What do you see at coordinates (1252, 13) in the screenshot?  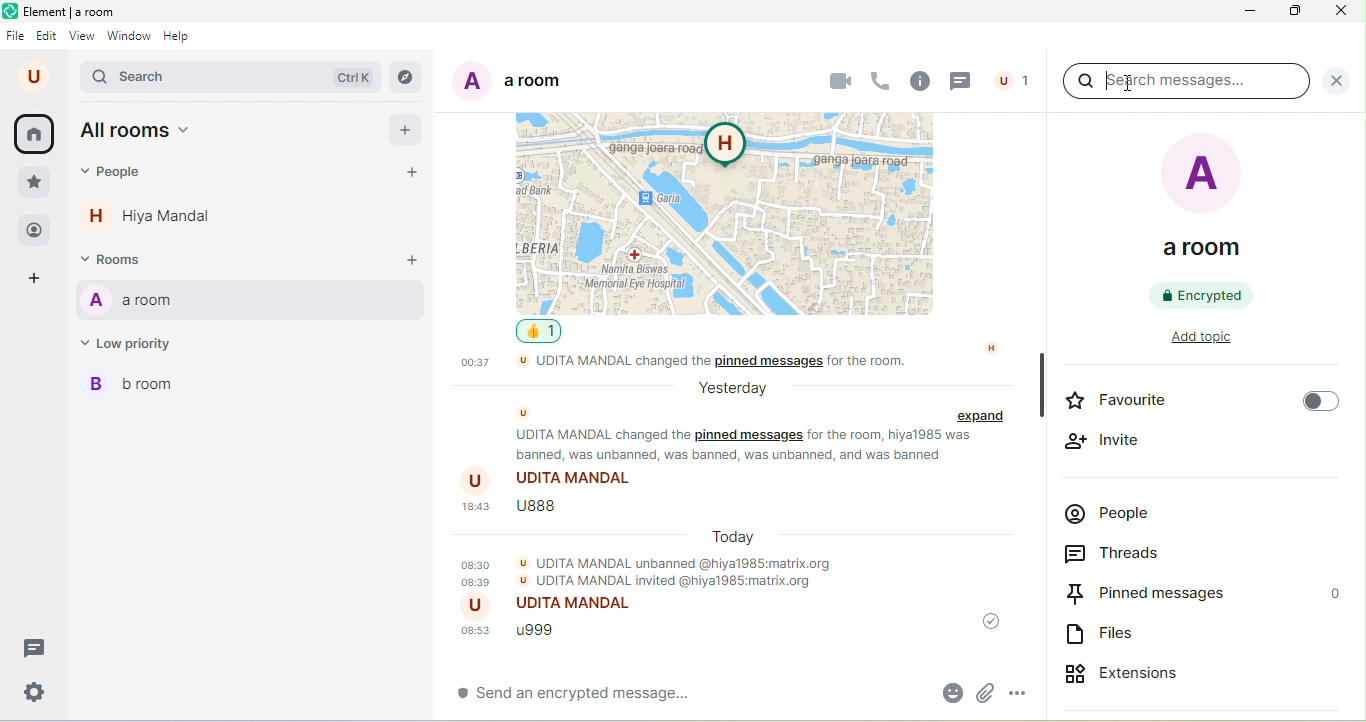 I see `minimize` at bounding box center [1252, 13].